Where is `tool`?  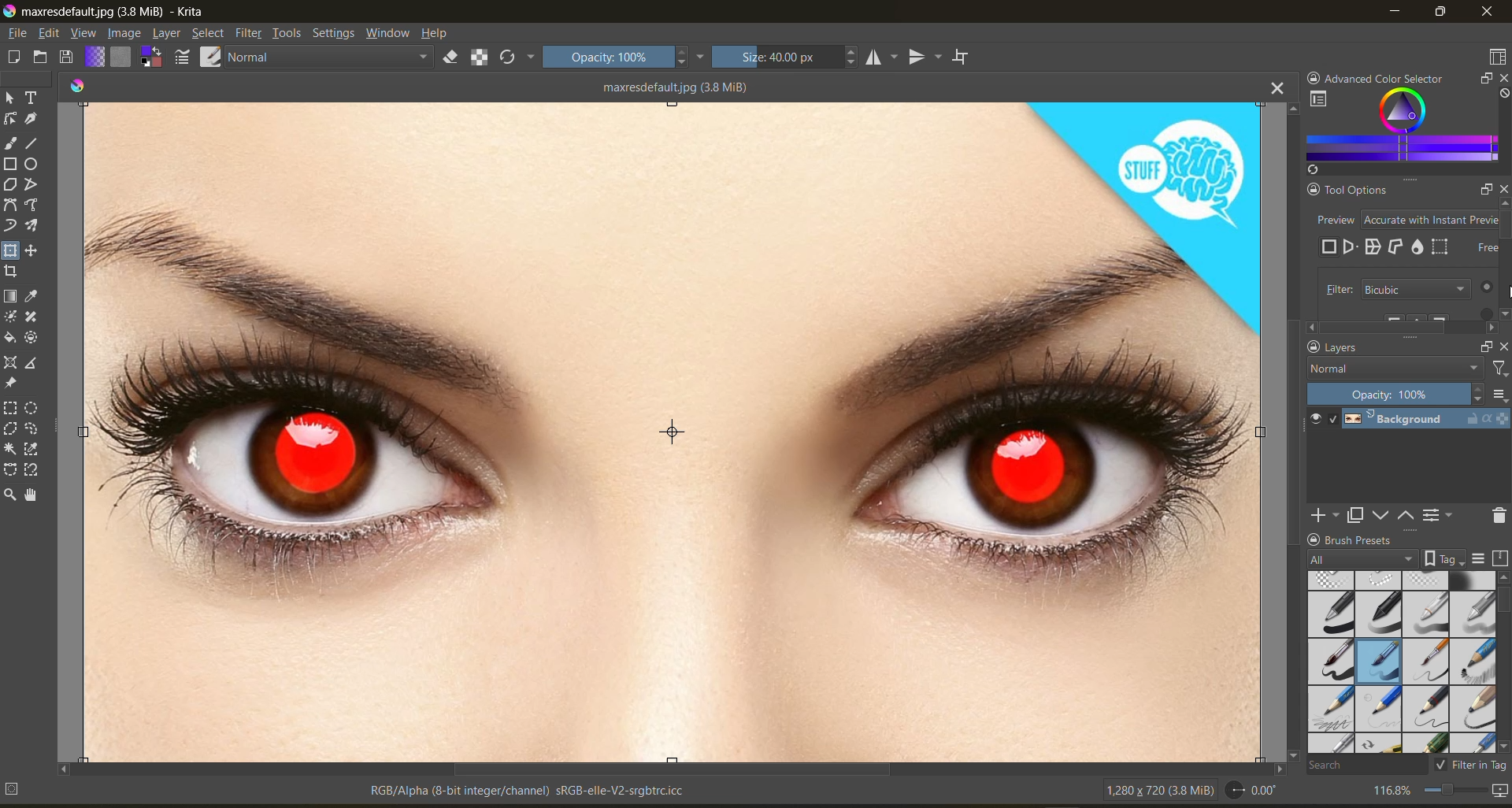 tool is located at coordinates (11, 250).